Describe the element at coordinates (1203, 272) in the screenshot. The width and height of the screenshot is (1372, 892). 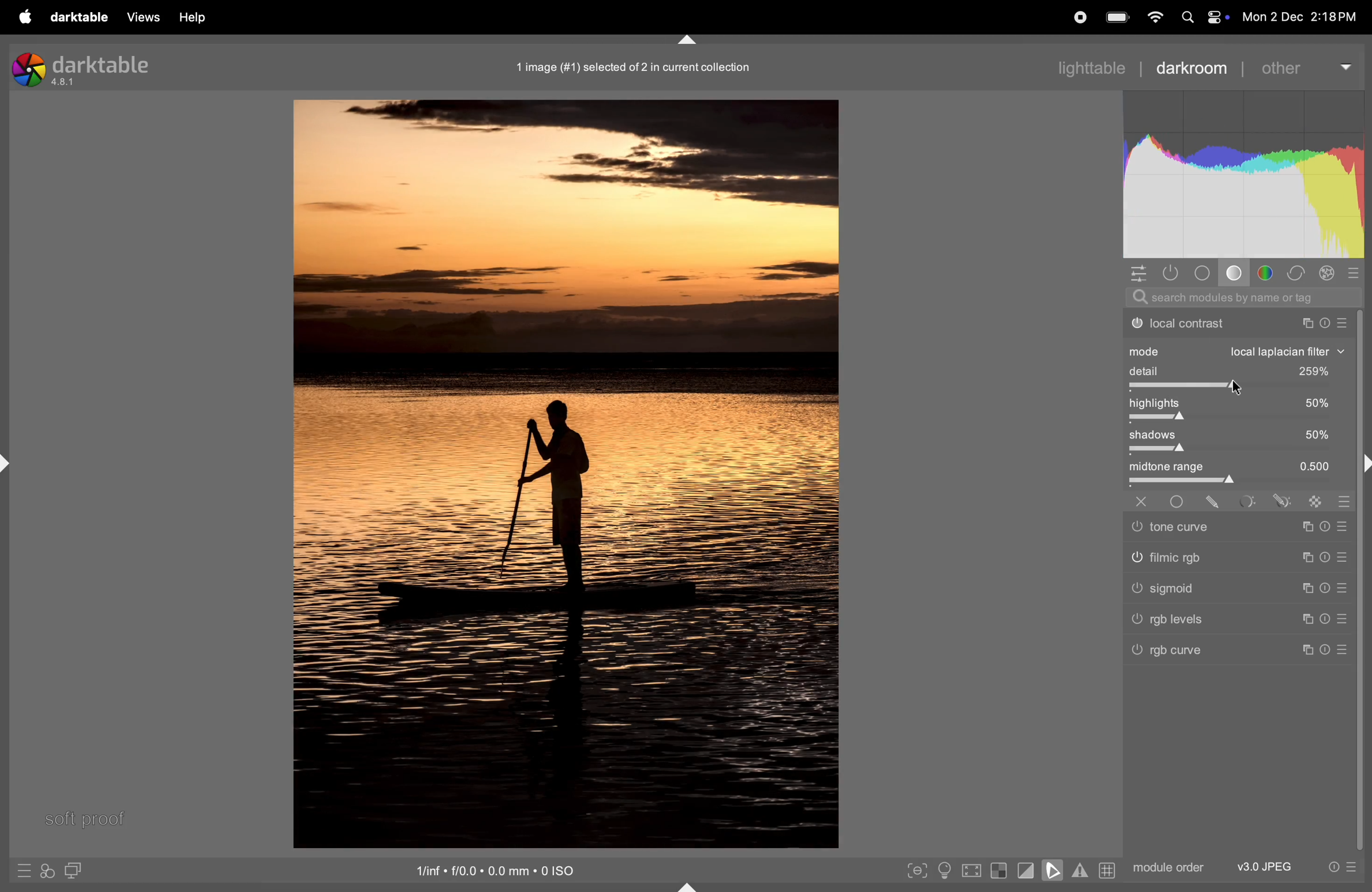
I see `base` at that location.